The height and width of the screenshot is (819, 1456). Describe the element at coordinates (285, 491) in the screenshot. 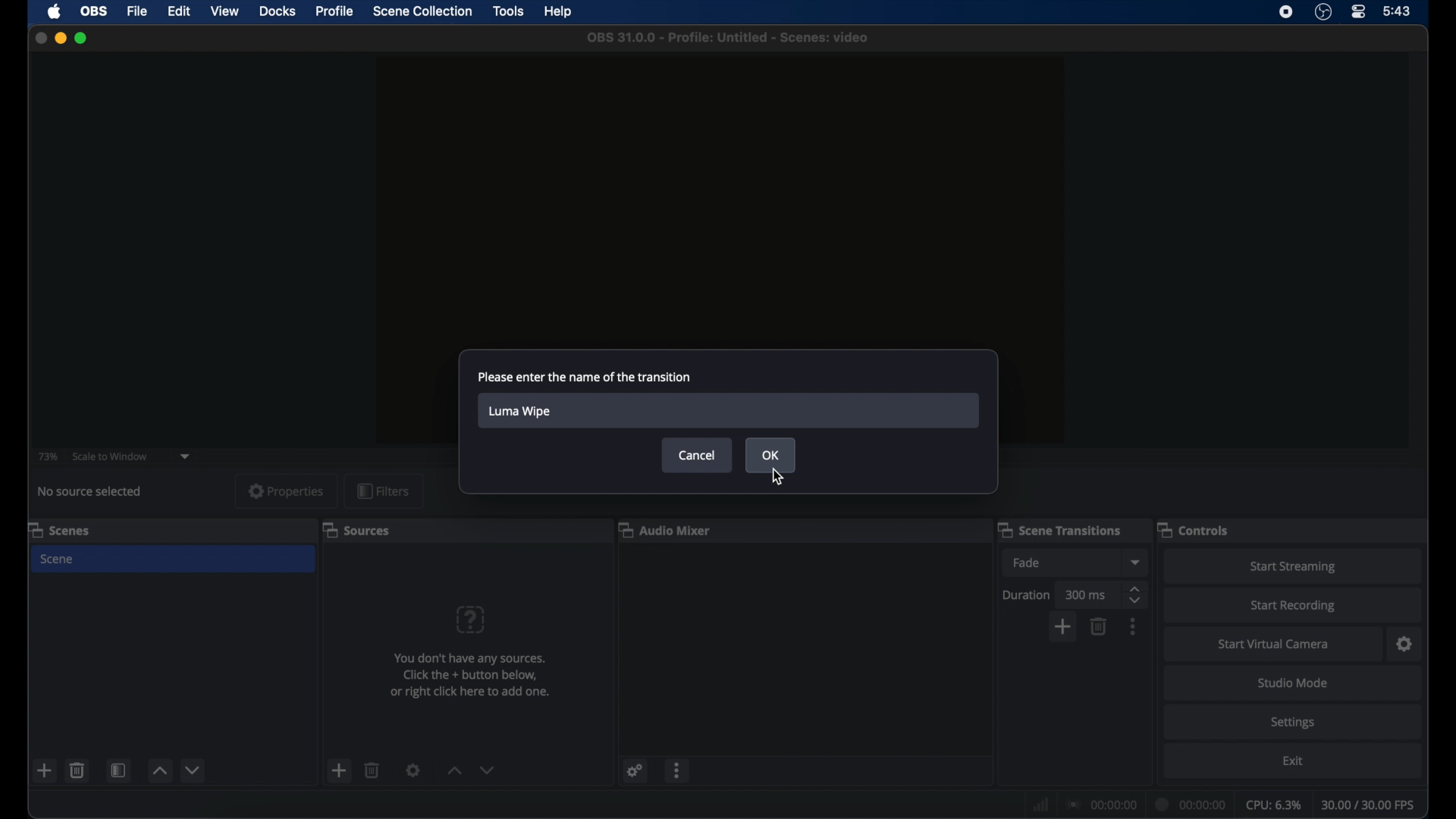

I see `properties` at that location.